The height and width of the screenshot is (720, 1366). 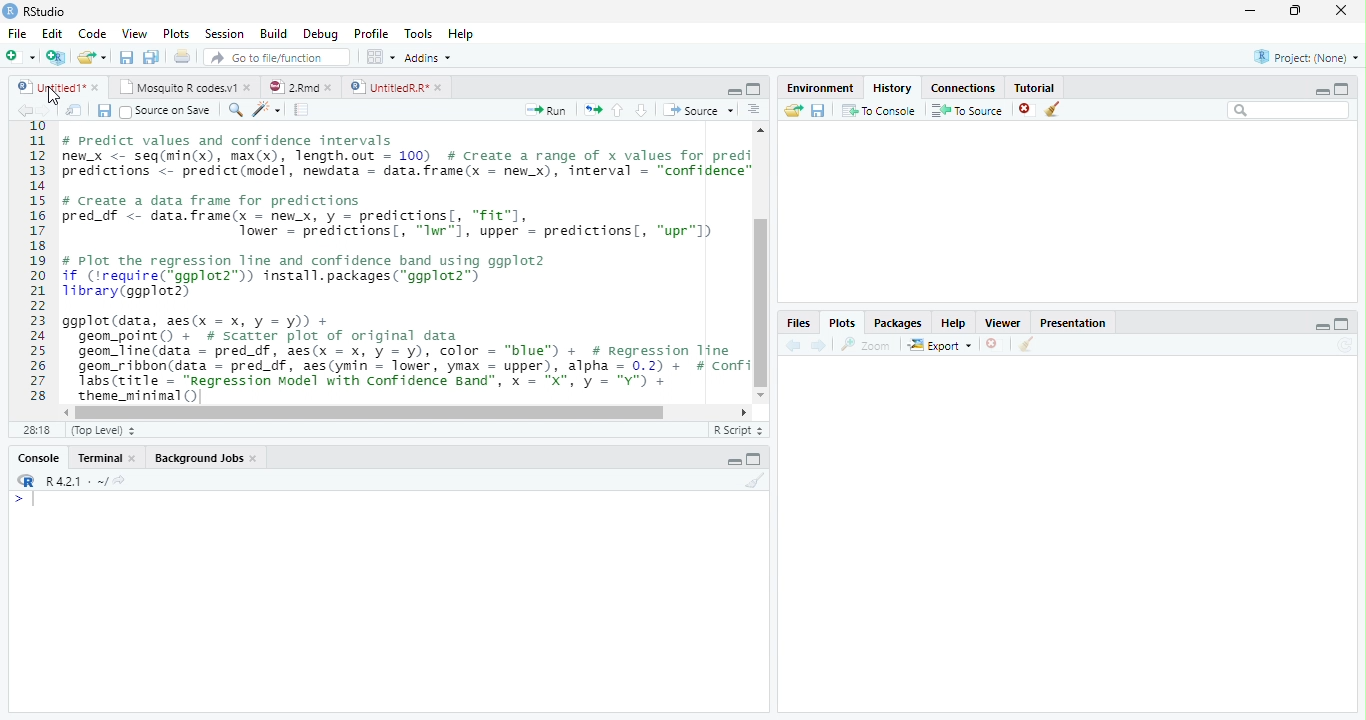 I want to click on Minimize, so click(x=1252, y=10).